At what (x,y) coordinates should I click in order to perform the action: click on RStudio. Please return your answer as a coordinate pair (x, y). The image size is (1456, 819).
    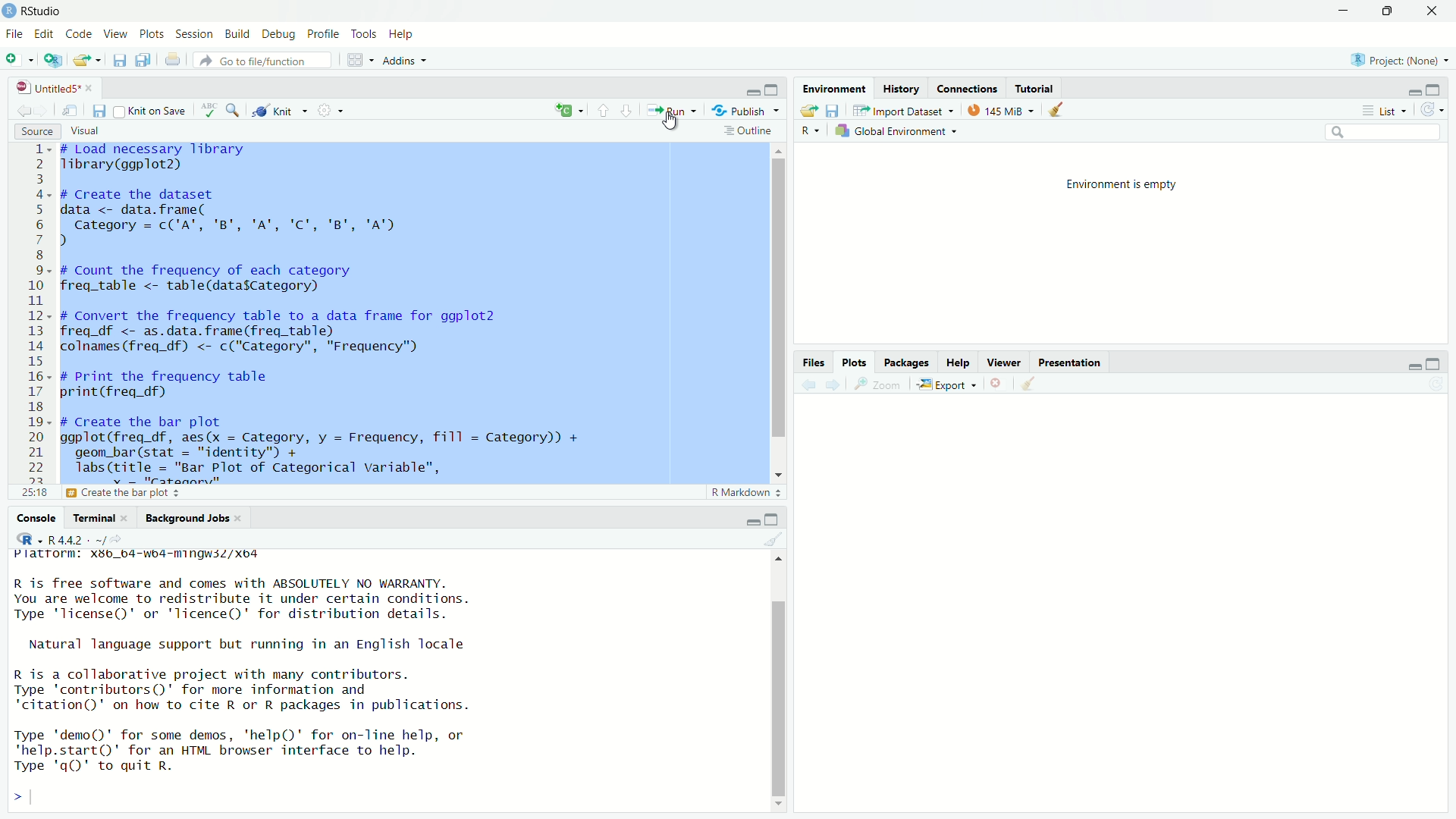
    Looking at the image, I should click on (47, 11).